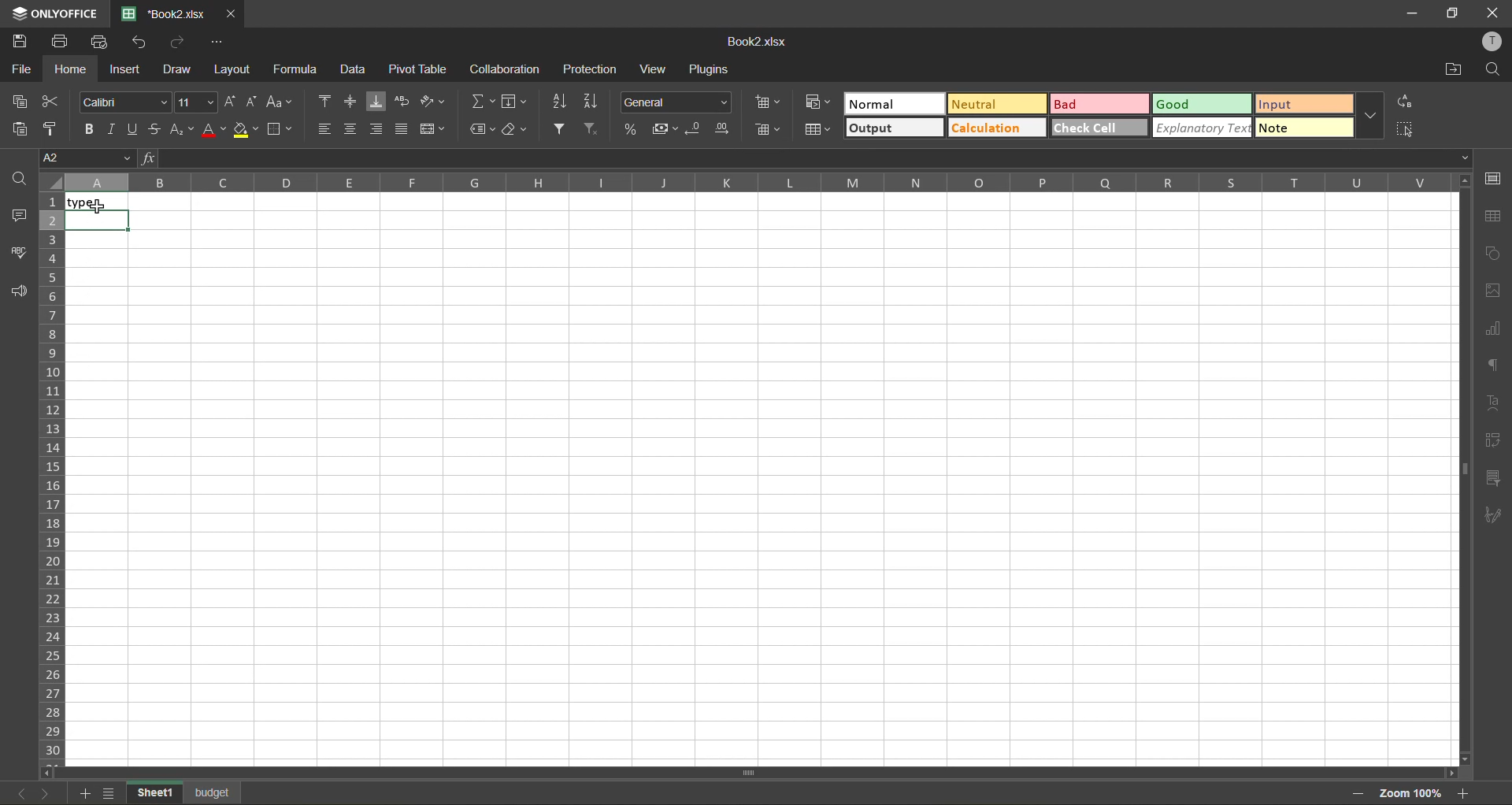 The width and height of the screenshot is (1512, 805). Describe the element at coordinates (20, 292) in the screenshot. I see `feedback` at that location.